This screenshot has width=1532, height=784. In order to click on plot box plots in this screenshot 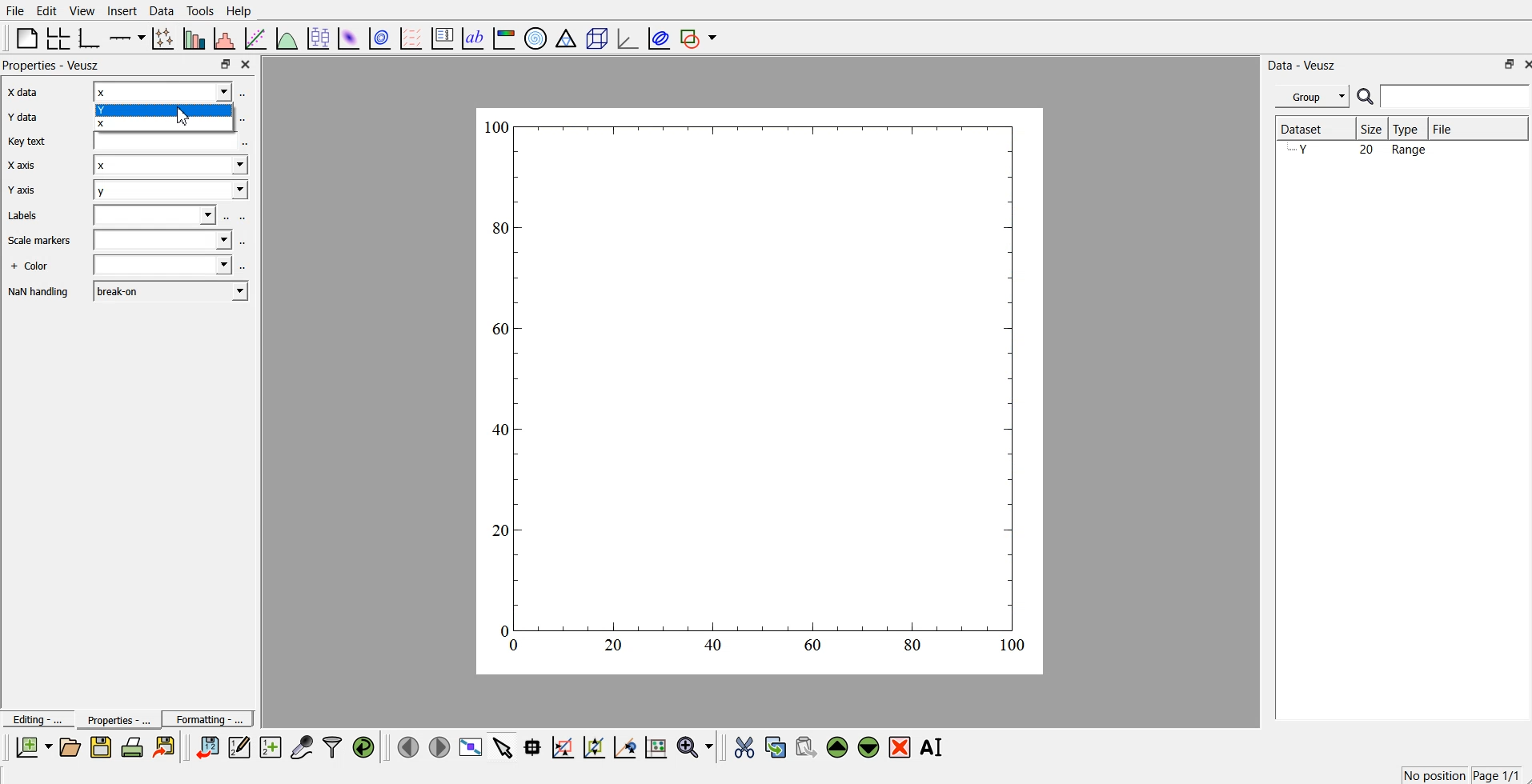, I will do `click(318, 37)`.